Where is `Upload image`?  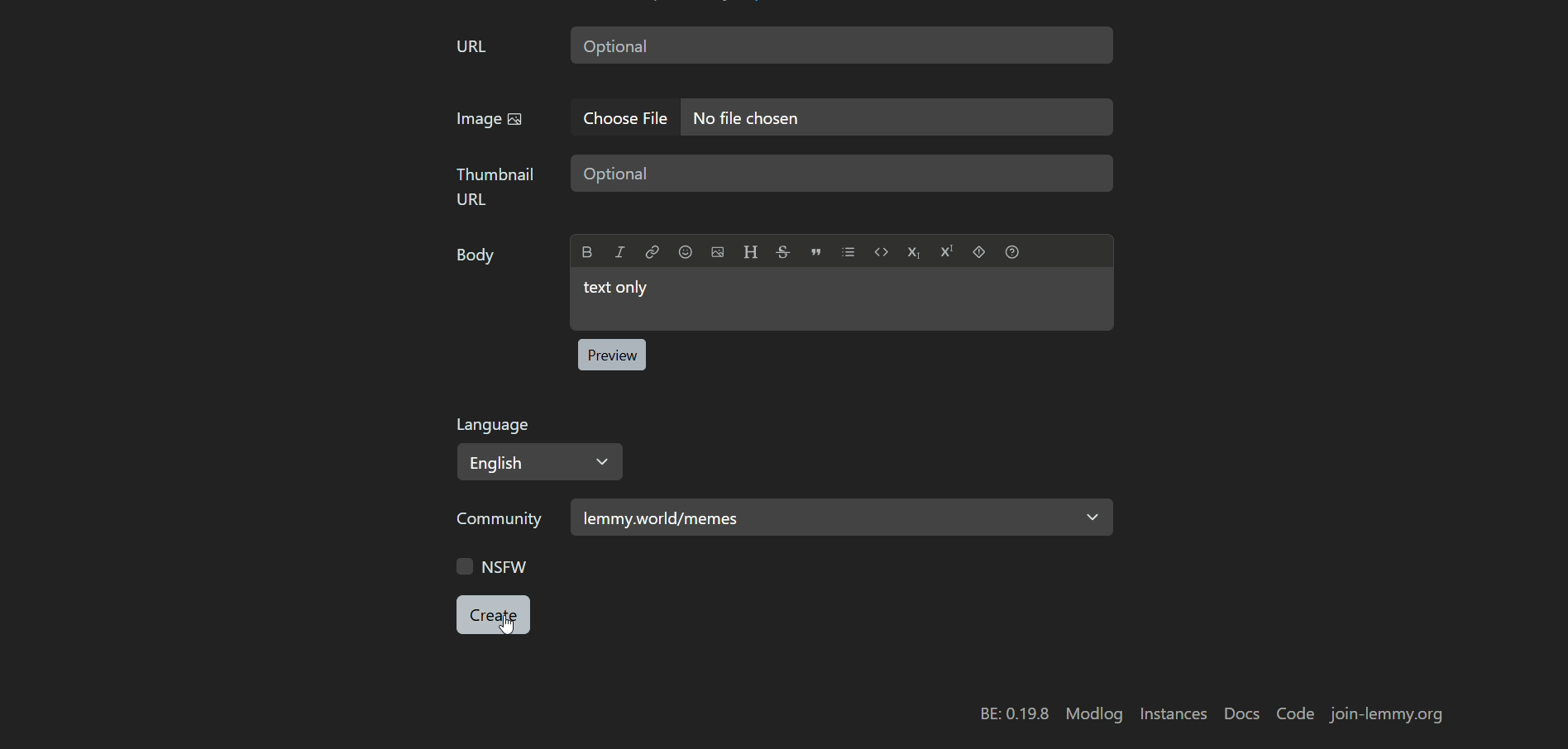
Upload image is located at coordinates (718, 252).